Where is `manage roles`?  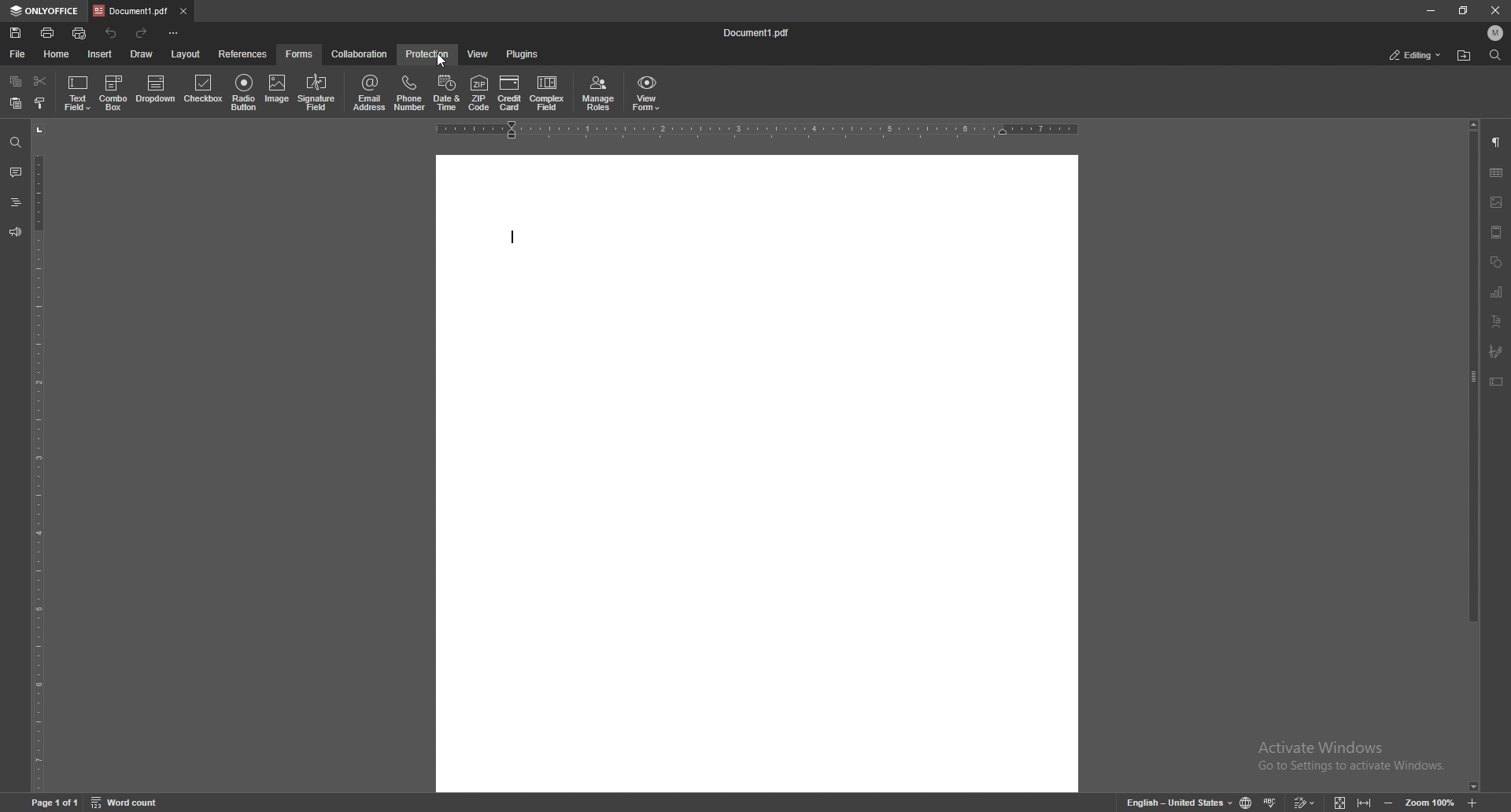 manage roles is located at coordinates (598, 93).